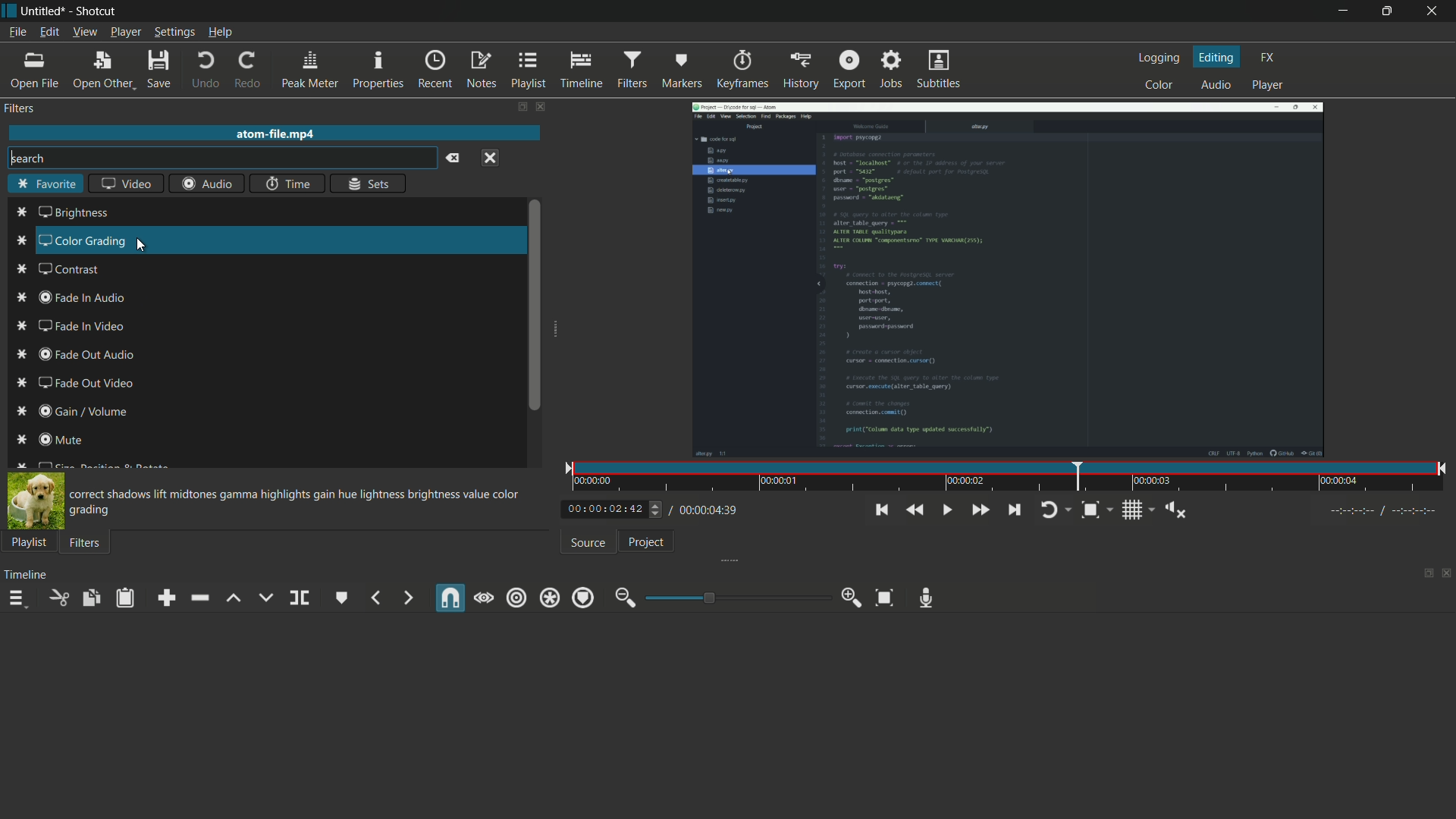 The height and width of the screenshot is (819, 1456). I want to click on close app, so click(1433, 11).